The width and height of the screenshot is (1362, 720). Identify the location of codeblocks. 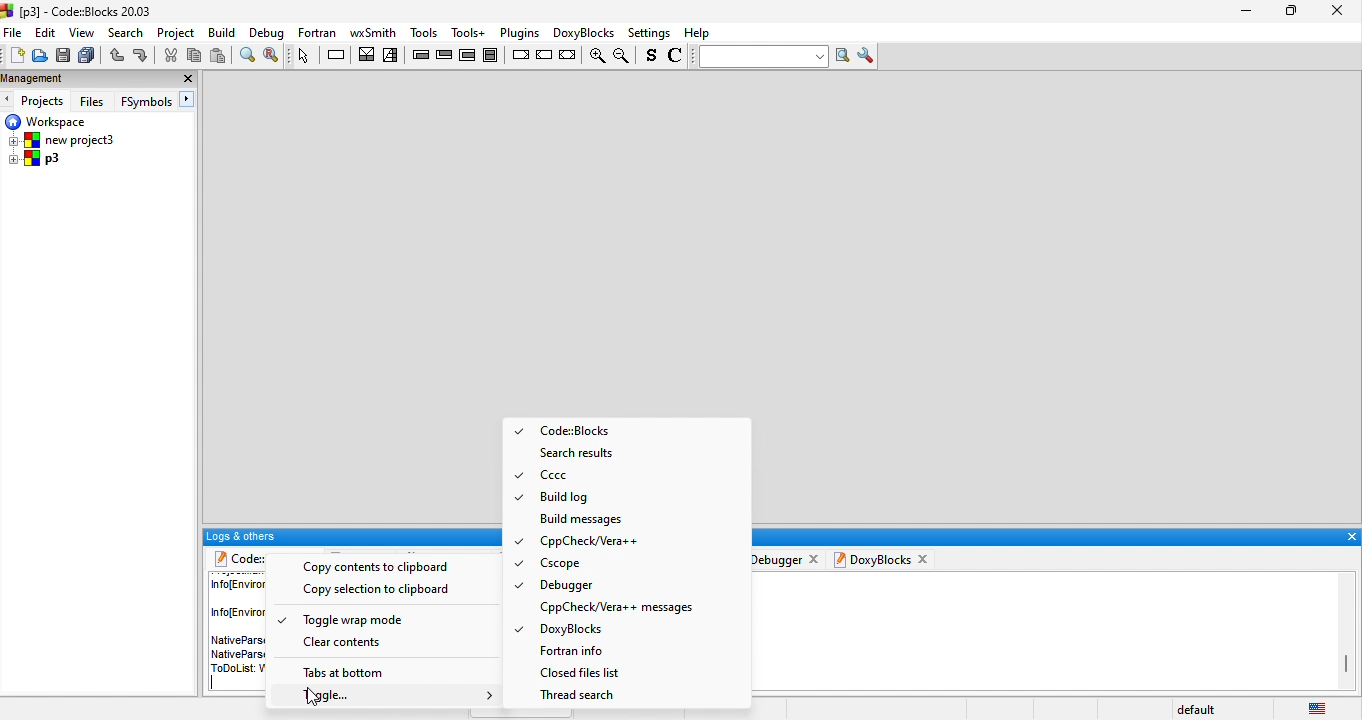
(570, 430).